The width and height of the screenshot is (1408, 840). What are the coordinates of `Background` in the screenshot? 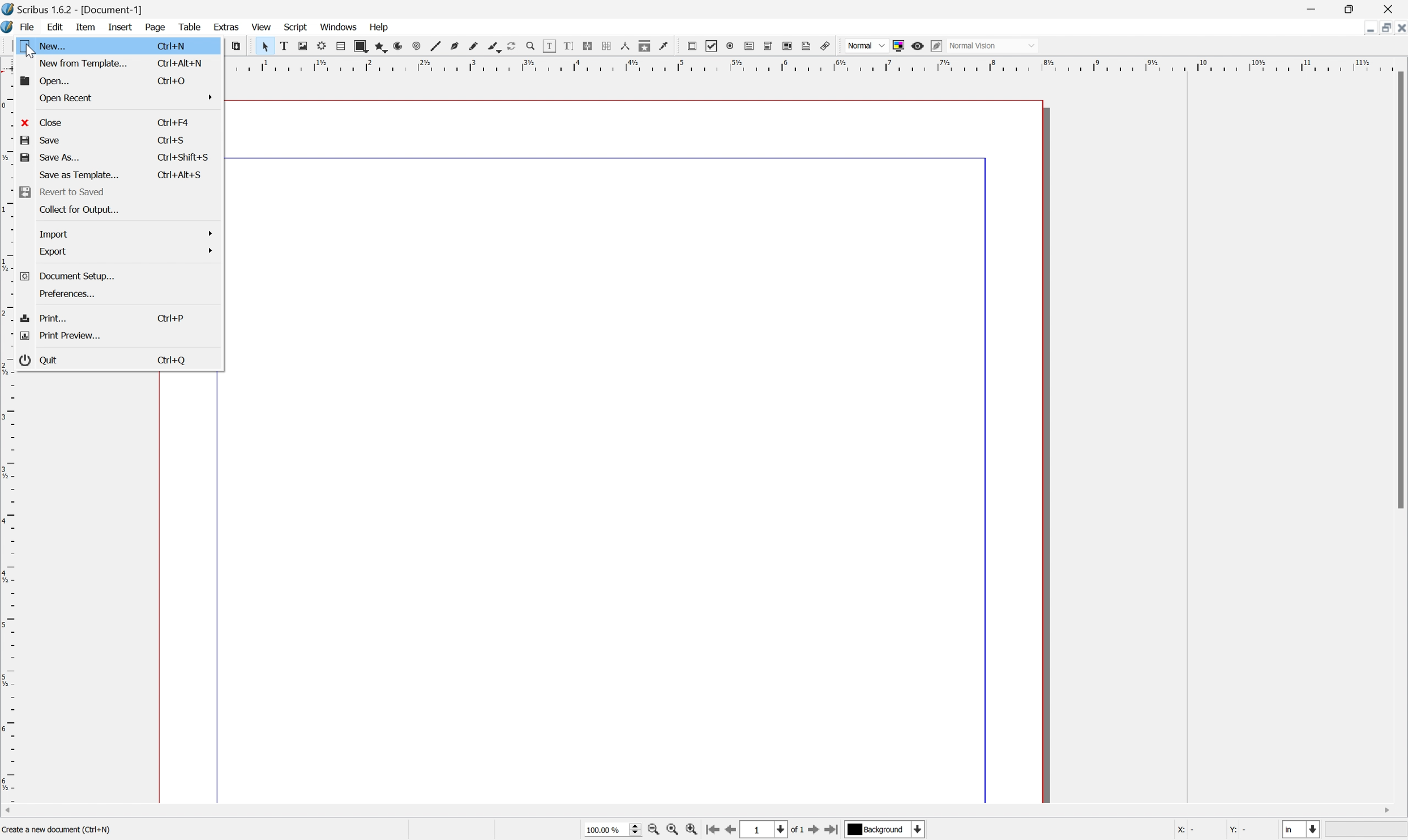 It's located at (885, 830).